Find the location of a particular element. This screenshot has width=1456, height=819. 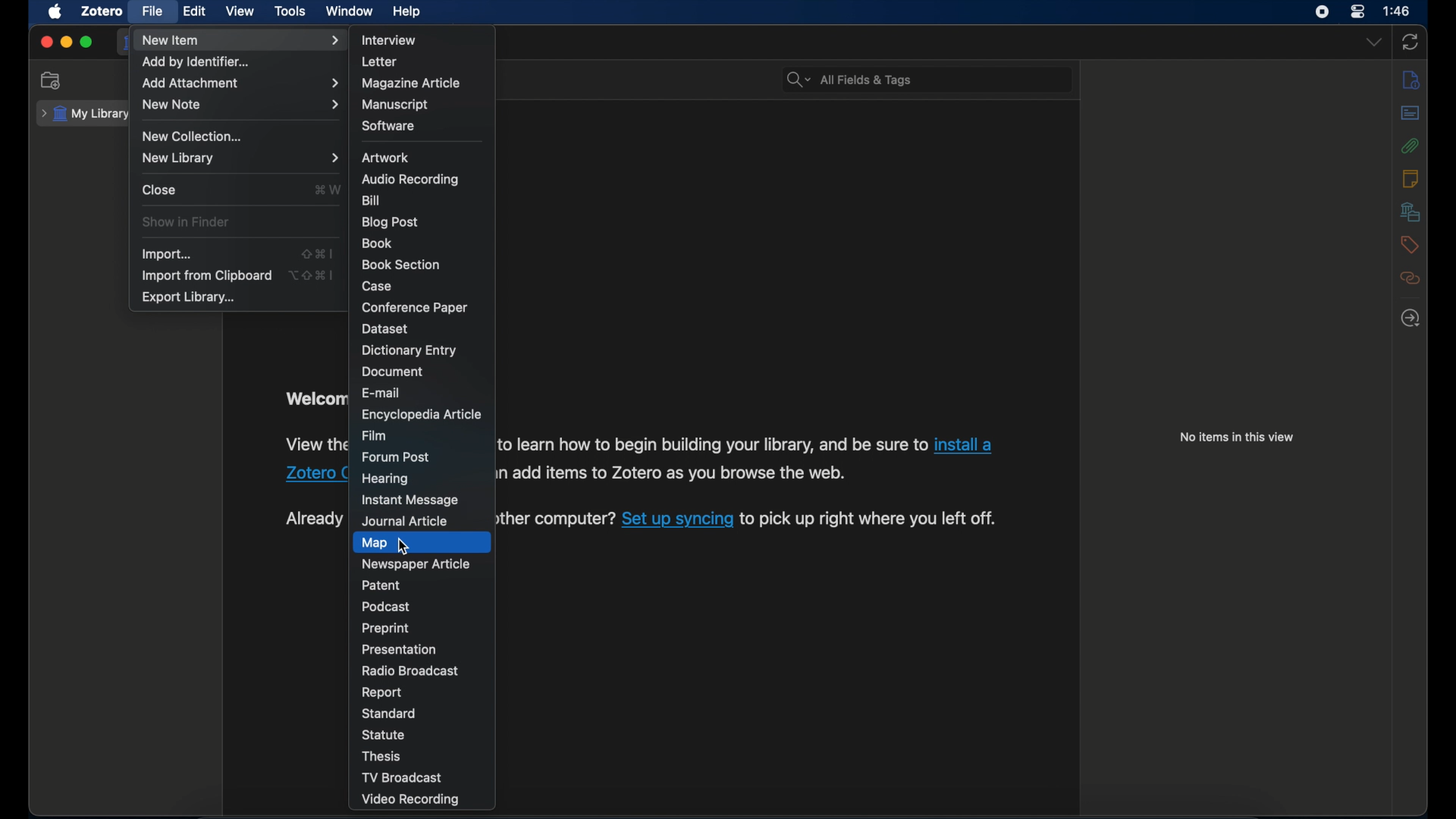

dropdown is located at coordinates (1373, 42).